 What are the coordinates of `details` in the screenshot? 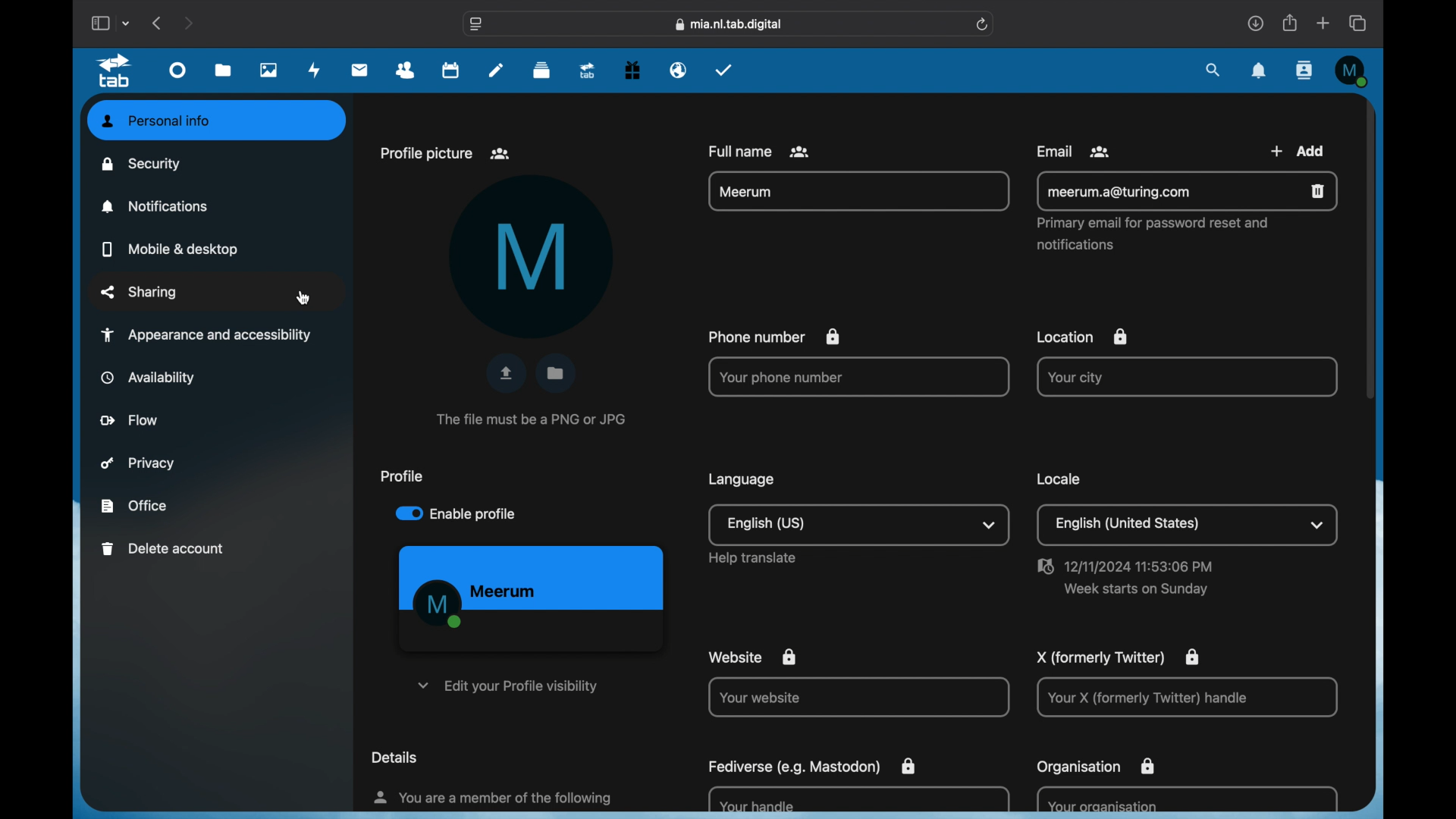 It's located at (396, 758).